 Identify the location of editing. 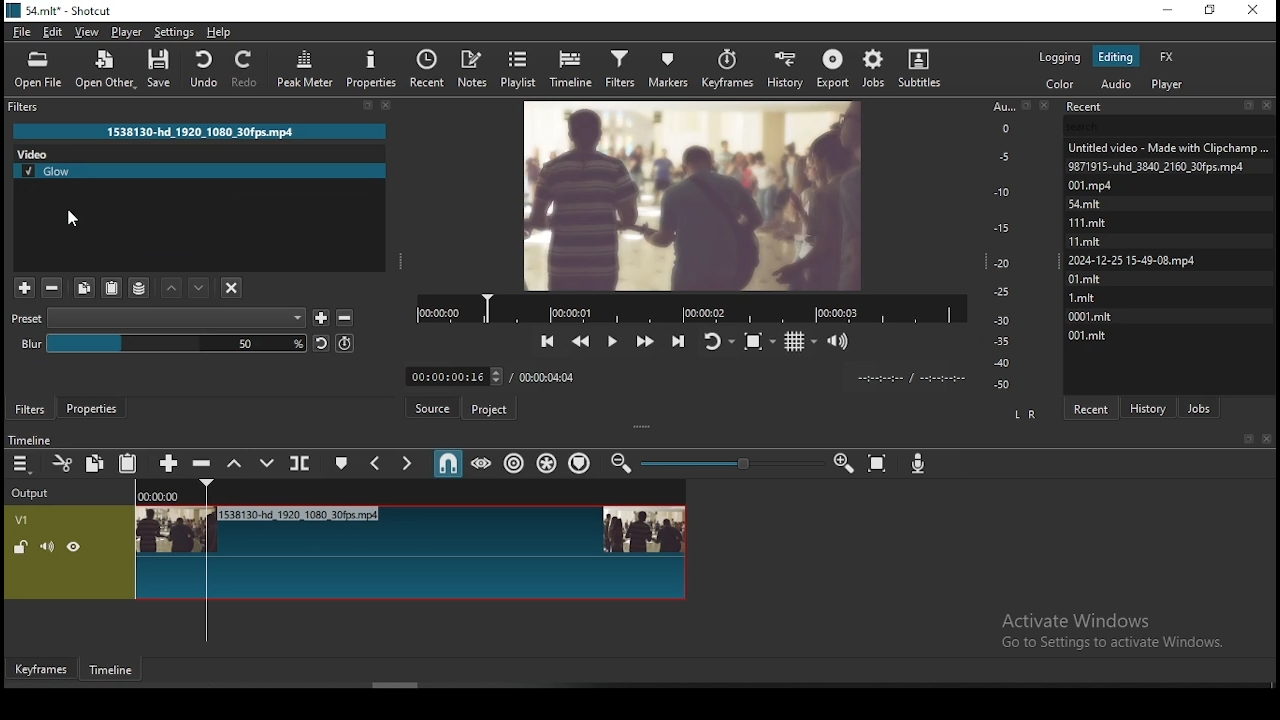
(1115, 56).